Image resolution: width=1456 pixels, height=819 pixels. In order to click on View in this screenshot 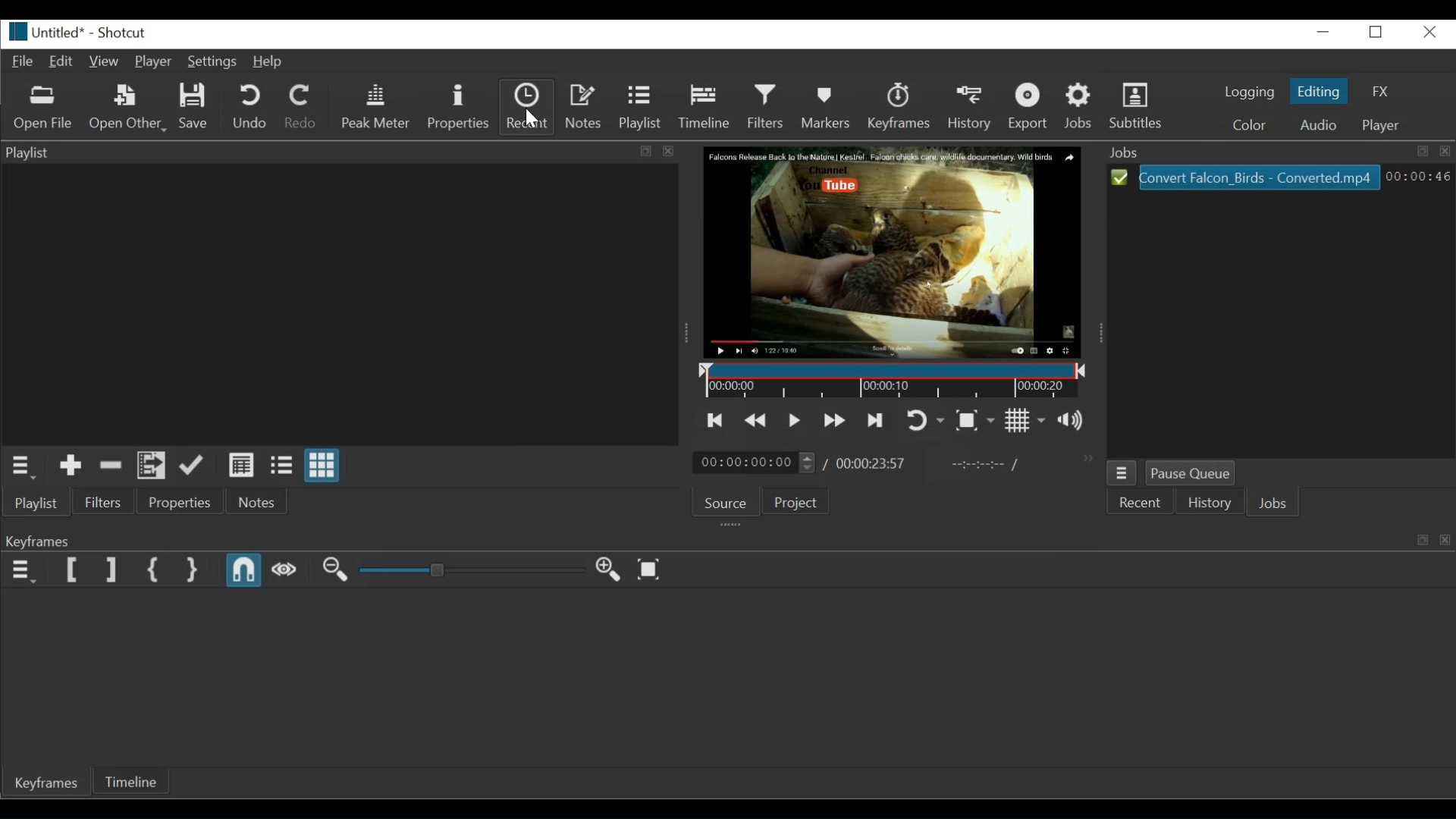, I will do `click(105, 62)`.